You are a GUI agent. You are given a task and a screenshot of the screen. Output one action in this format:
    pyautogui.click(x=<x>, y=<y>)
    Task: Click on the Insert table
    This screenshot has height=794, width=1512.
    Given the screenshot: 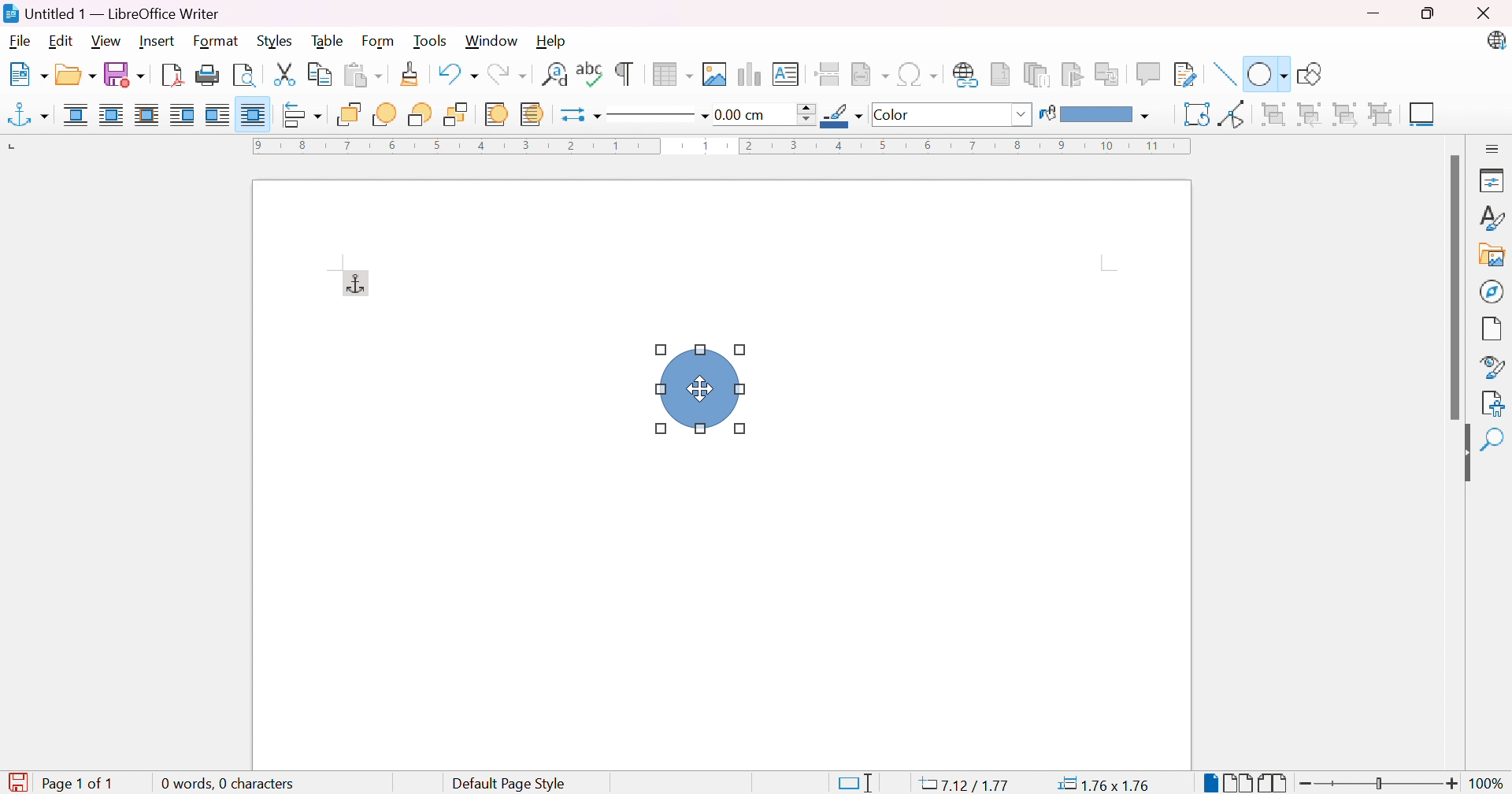 What is the action you would take?
    pyautogui.click(x=674, y=74)
    